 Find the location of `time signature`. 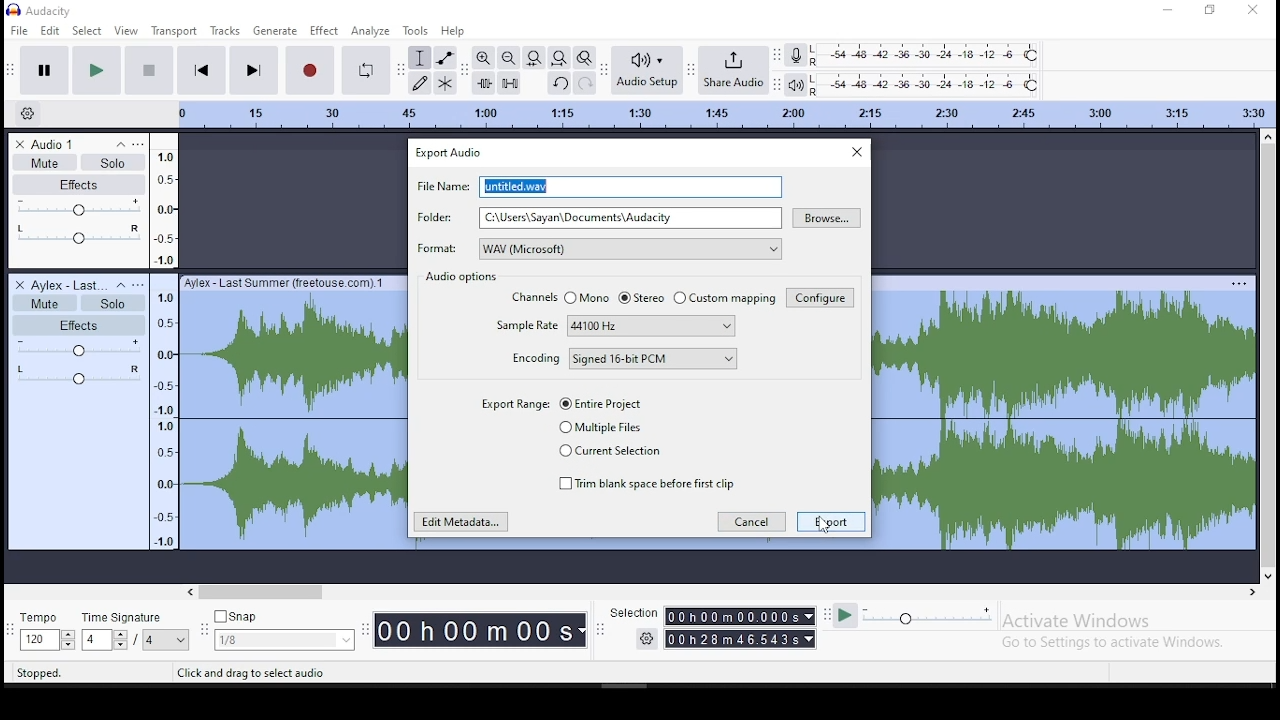

time signature is located at coordinates (137, 632).